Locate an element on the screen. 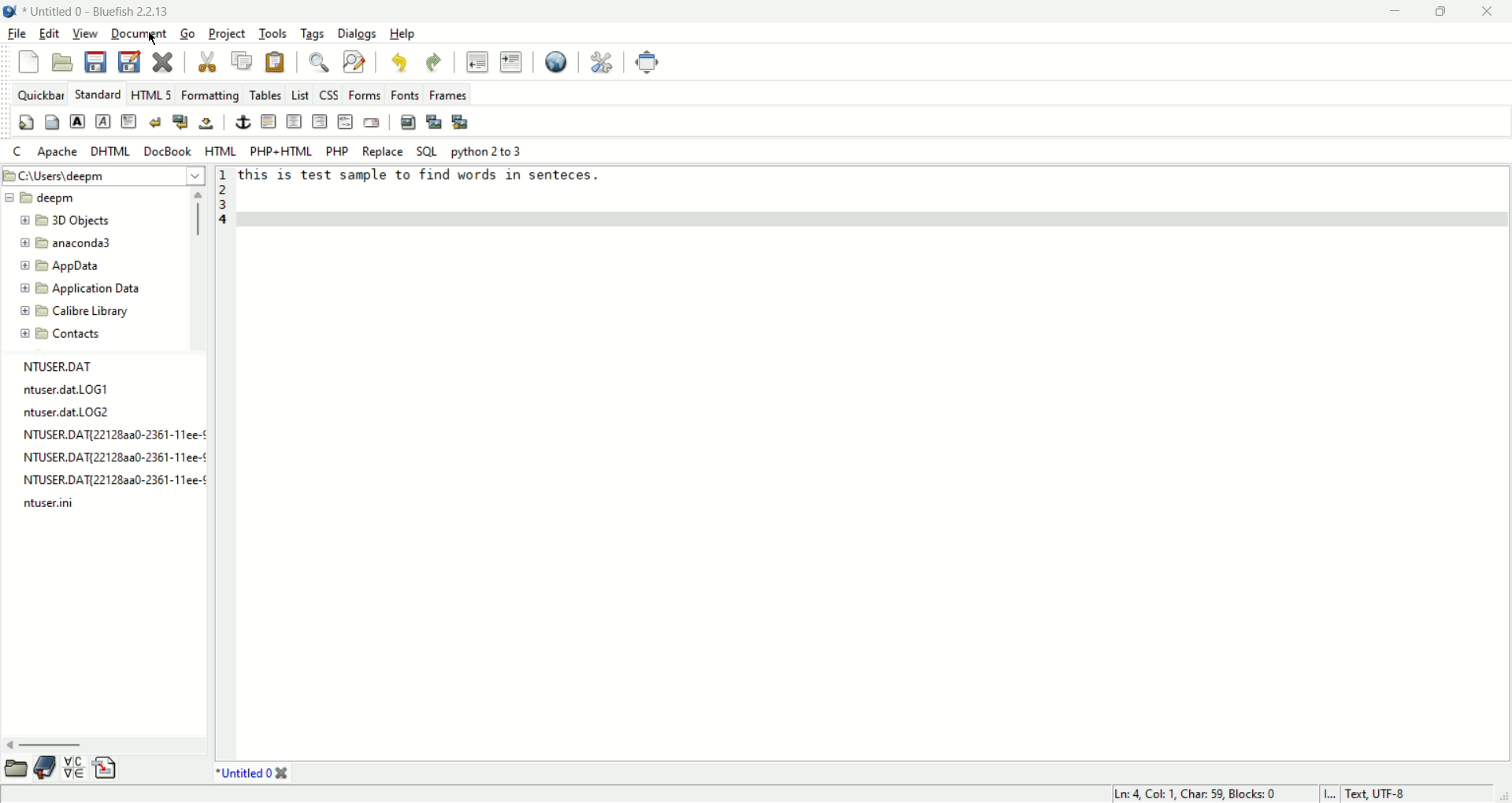 The height and width of the screenshot is (803, 1512). break and clear is located at coordinates (180, 123).